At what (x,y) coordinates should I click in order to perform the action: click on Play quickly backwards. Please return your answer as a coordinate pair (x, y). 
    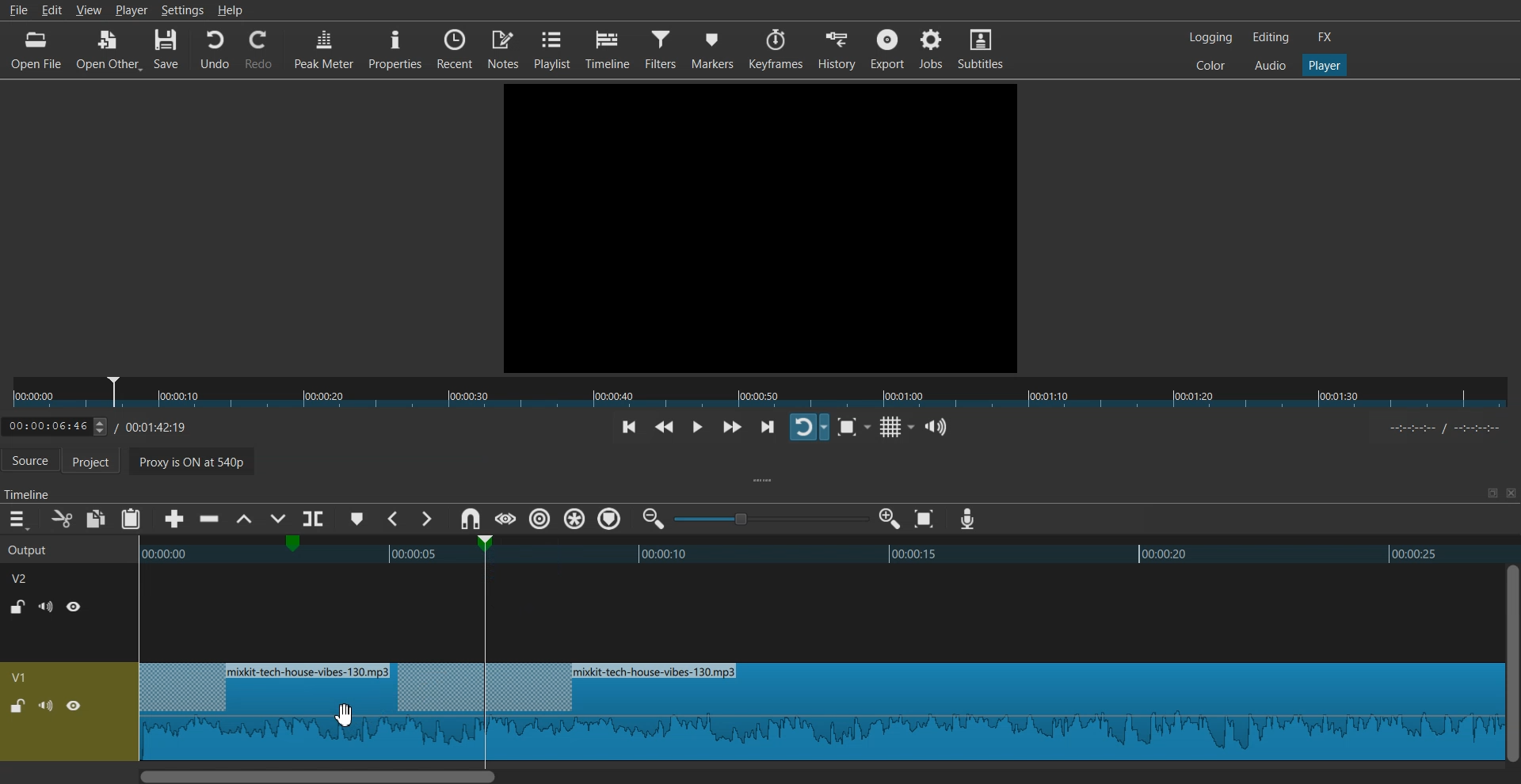
    Looking at the image, I should click on (665, 428).